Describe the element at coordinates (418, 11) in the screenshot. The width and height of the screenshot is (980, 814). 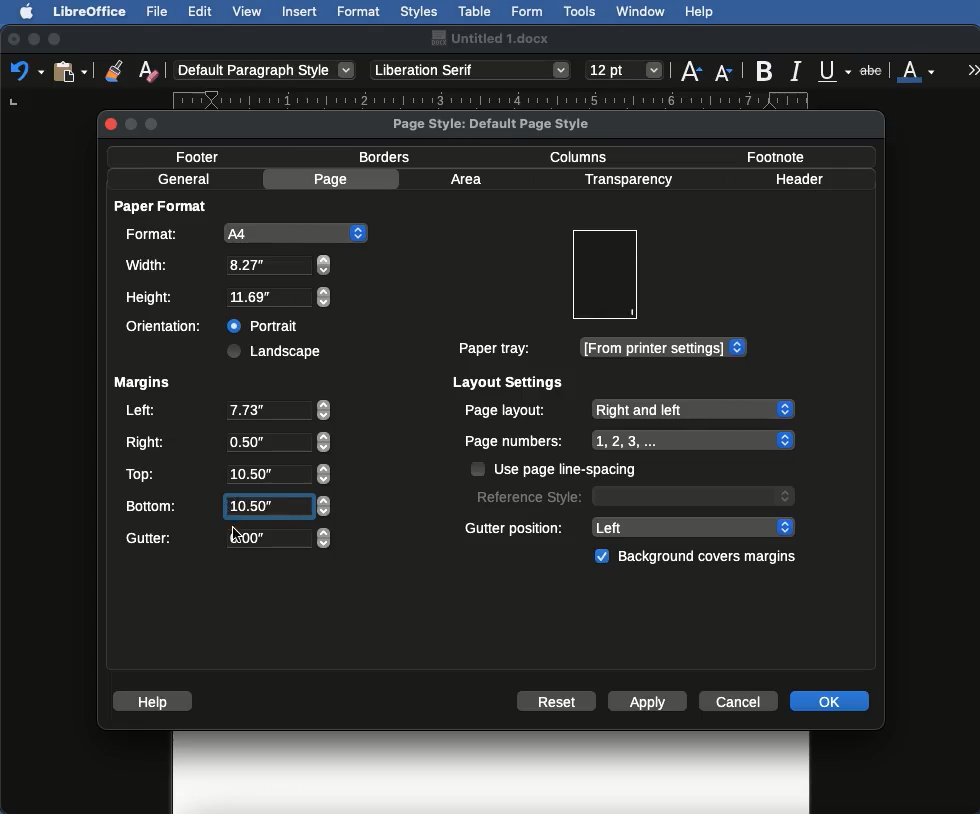
I see `Styles` at that location.